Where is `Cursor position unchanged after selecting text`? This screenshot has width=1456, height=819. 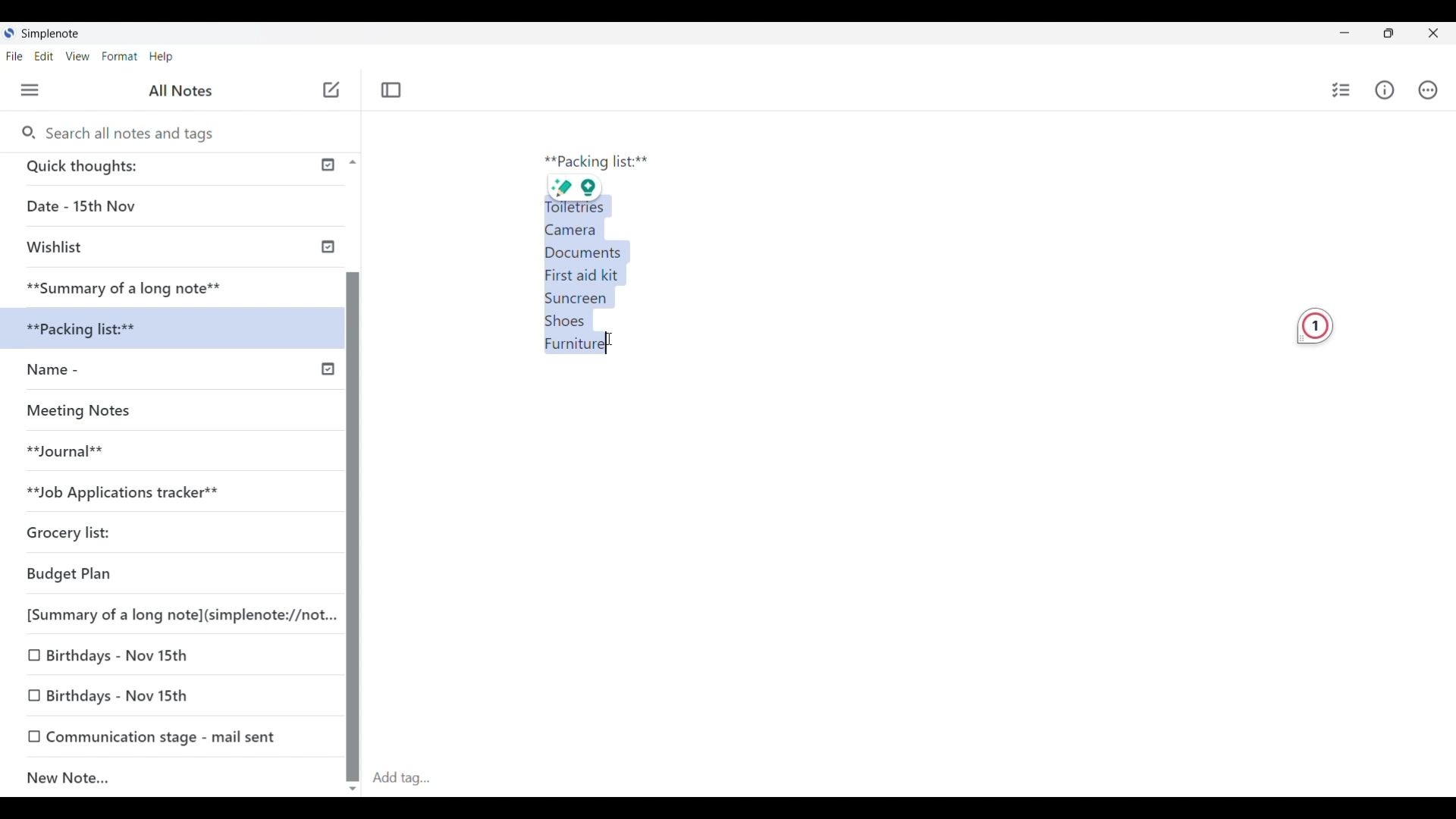
Cursor position unchanged after selecting text is located at coordinates (618, 347).